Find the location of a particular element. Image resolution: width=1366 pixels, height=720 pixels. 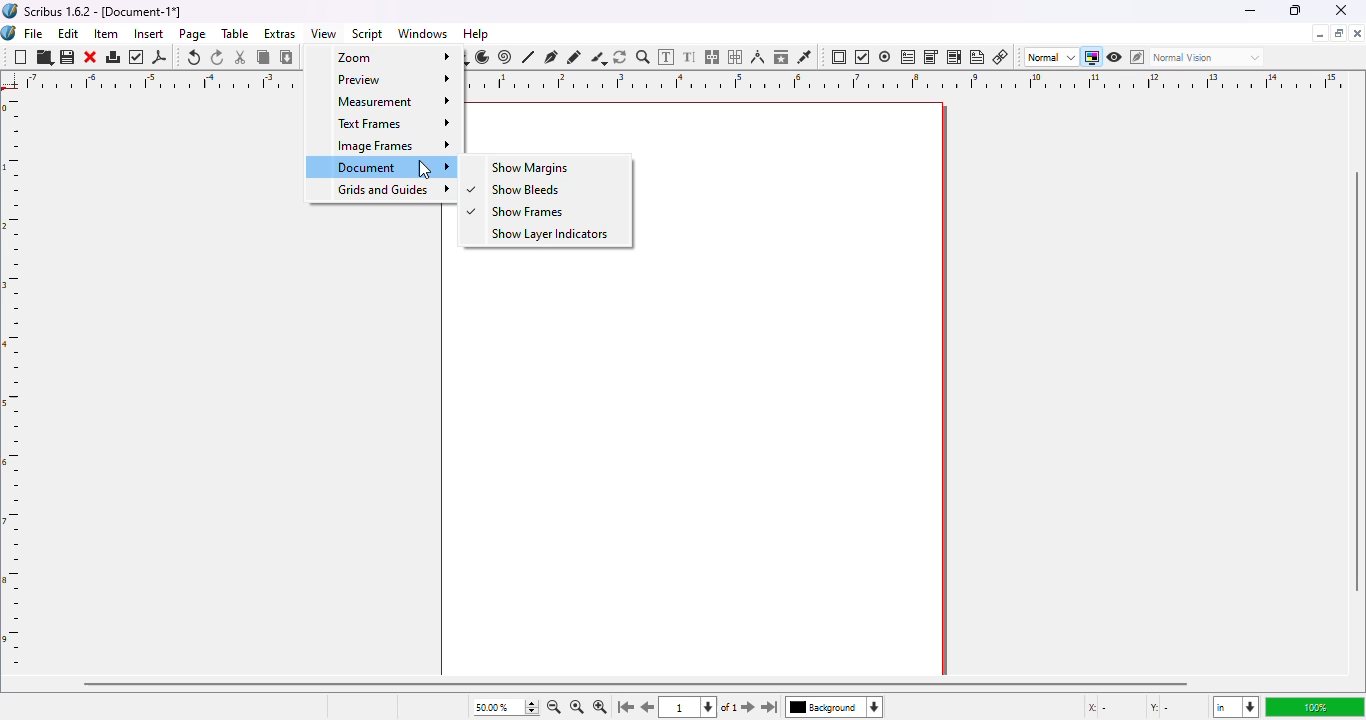

preflight verifier is located at coordinates (138, 57).